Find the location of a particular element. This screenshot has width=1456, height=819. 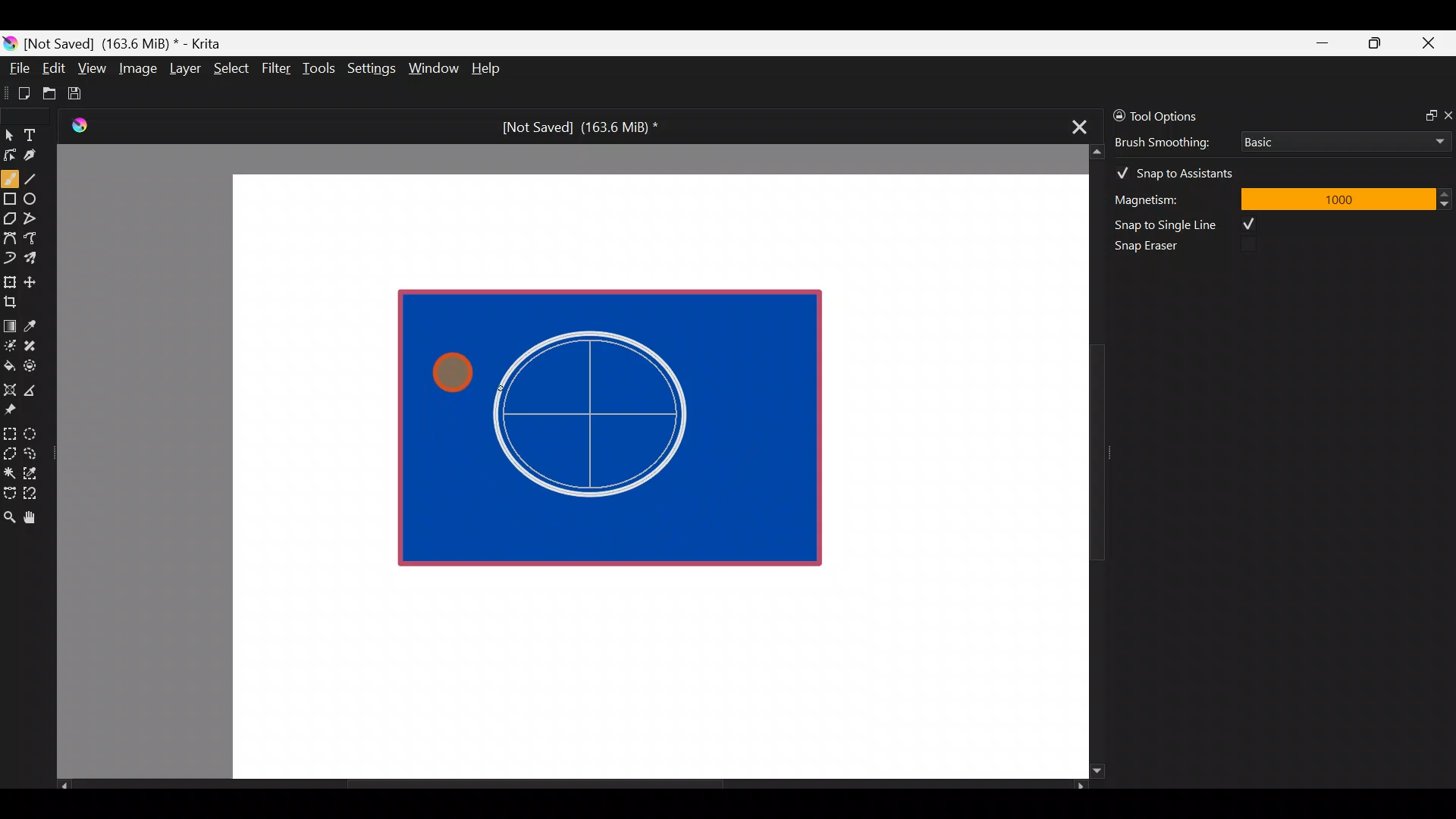

Zoom tool is located at coordinates (9, 516).